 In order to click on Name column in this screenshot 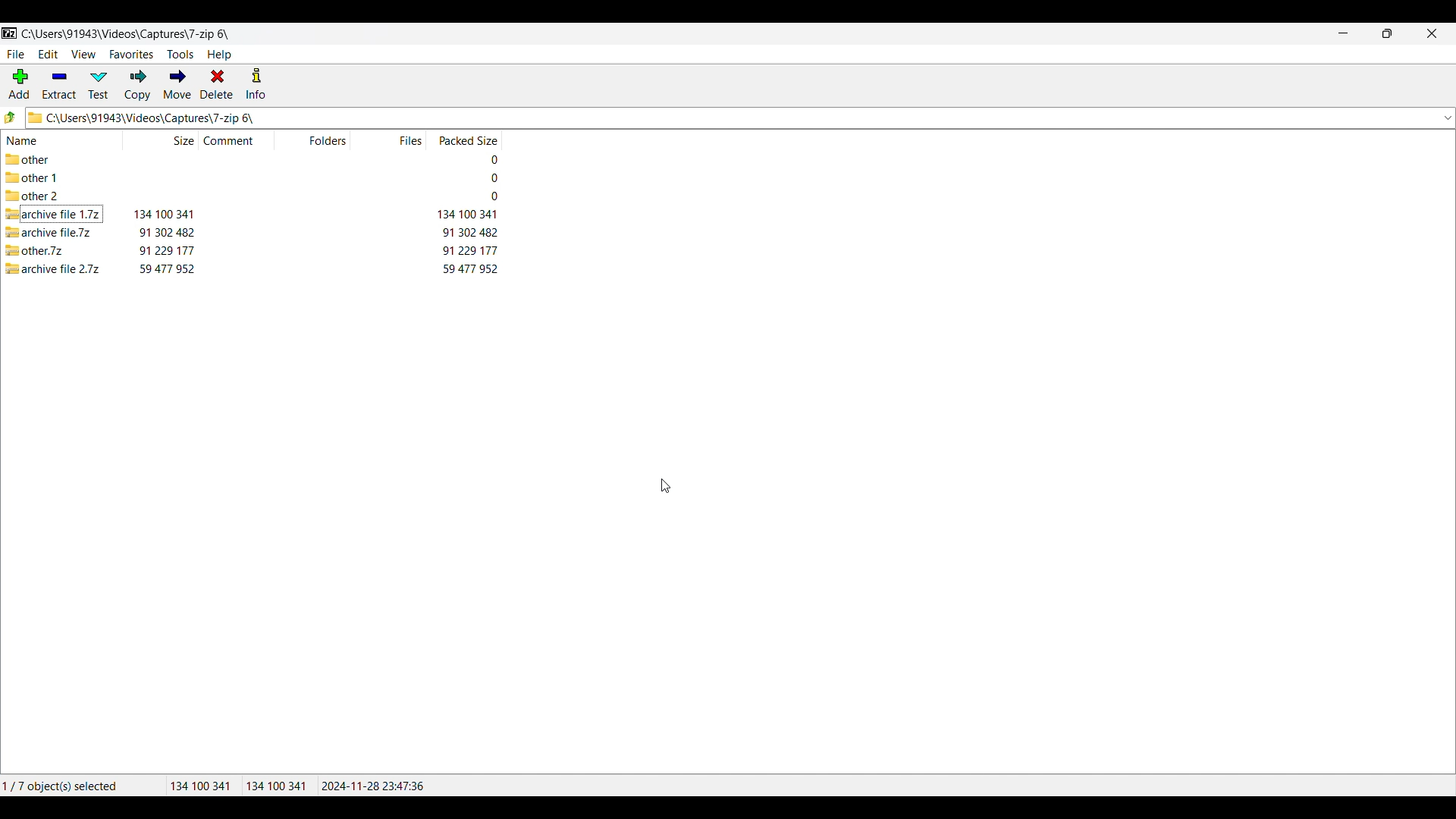, I will do `click(40, 141)`.